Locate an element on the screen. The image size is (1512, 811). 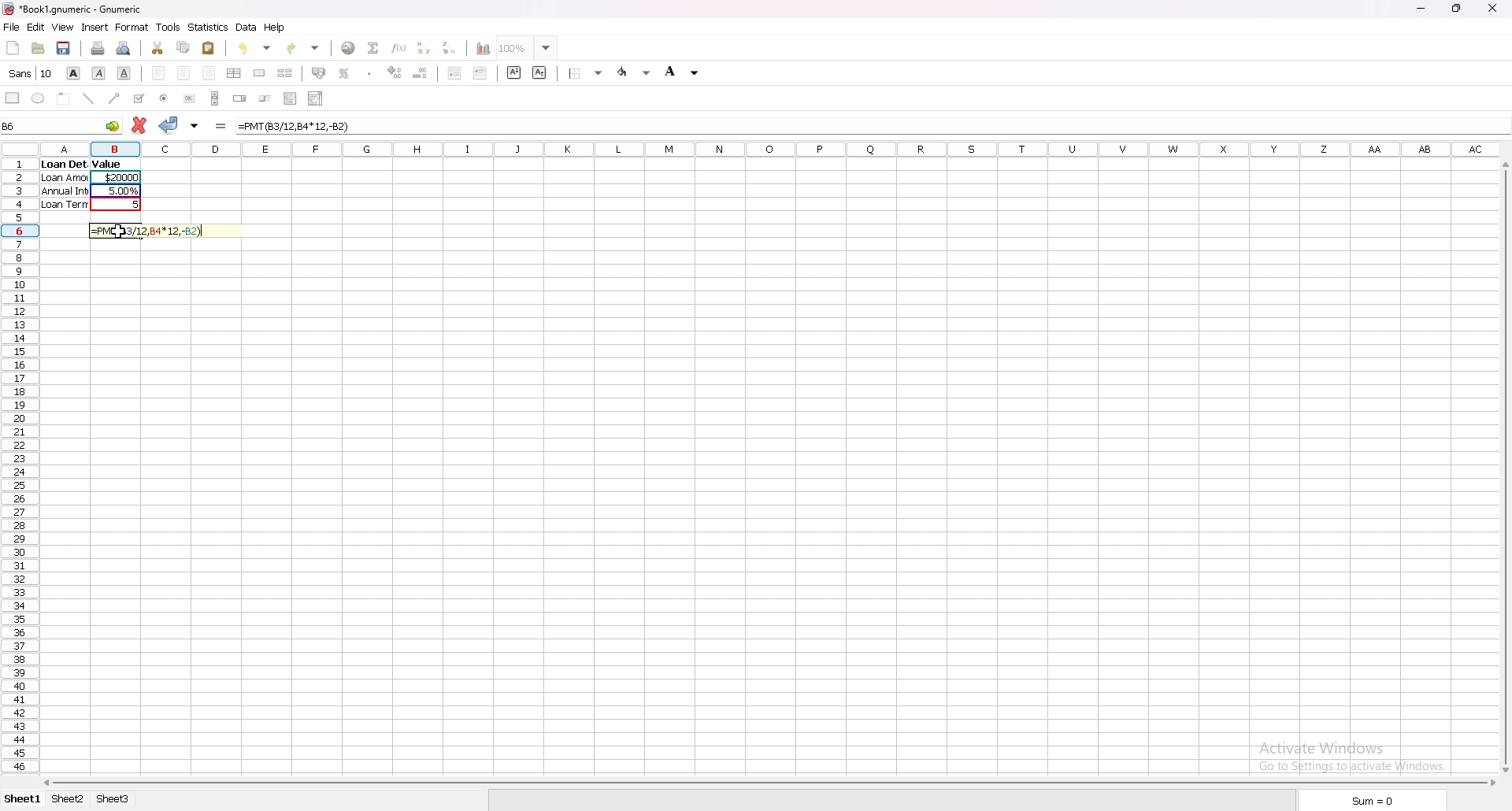
format is located at coordinates (133, 27).